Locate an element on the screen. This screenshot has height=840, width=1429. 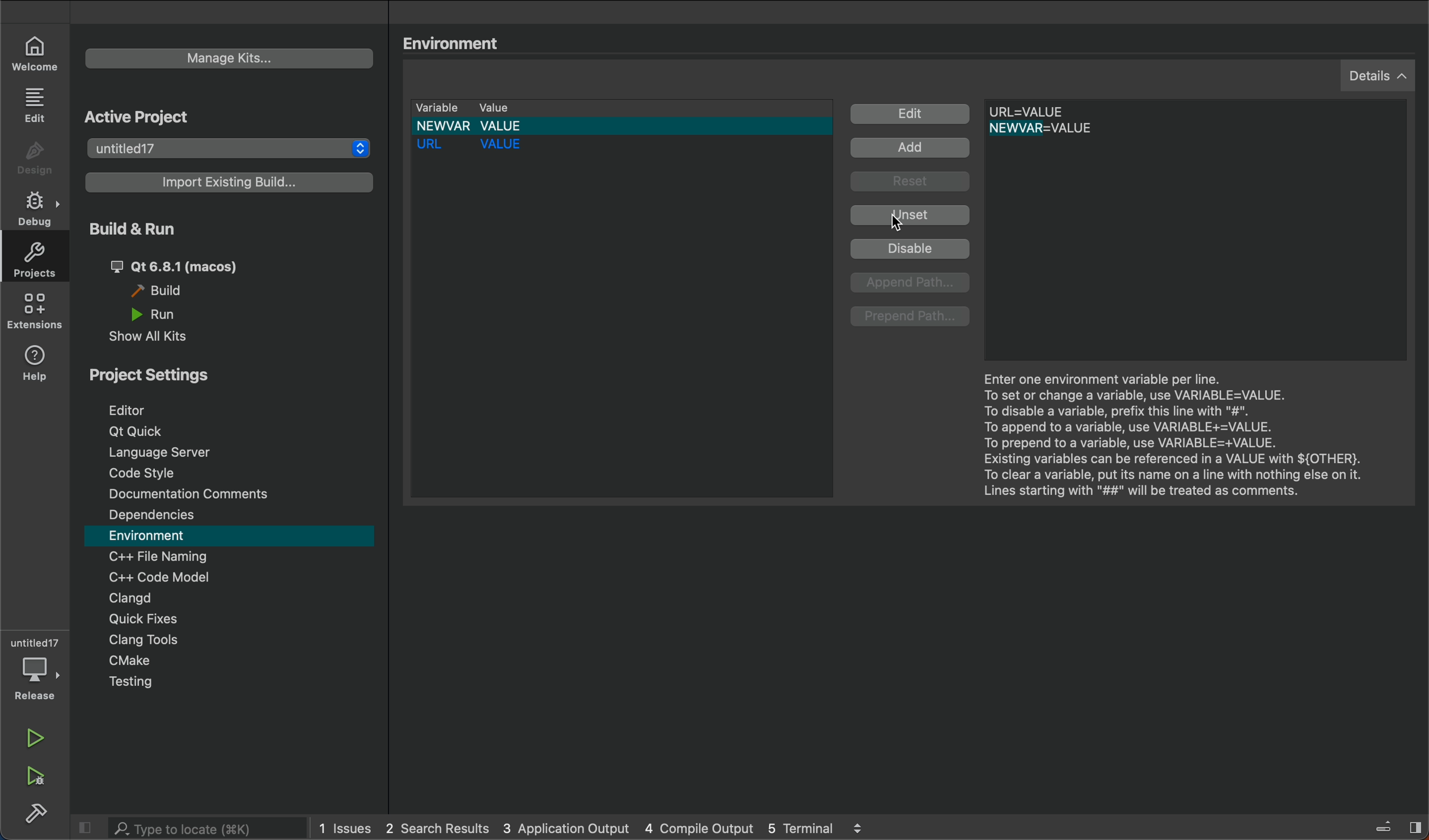
run is located at coordinates (40, 737).